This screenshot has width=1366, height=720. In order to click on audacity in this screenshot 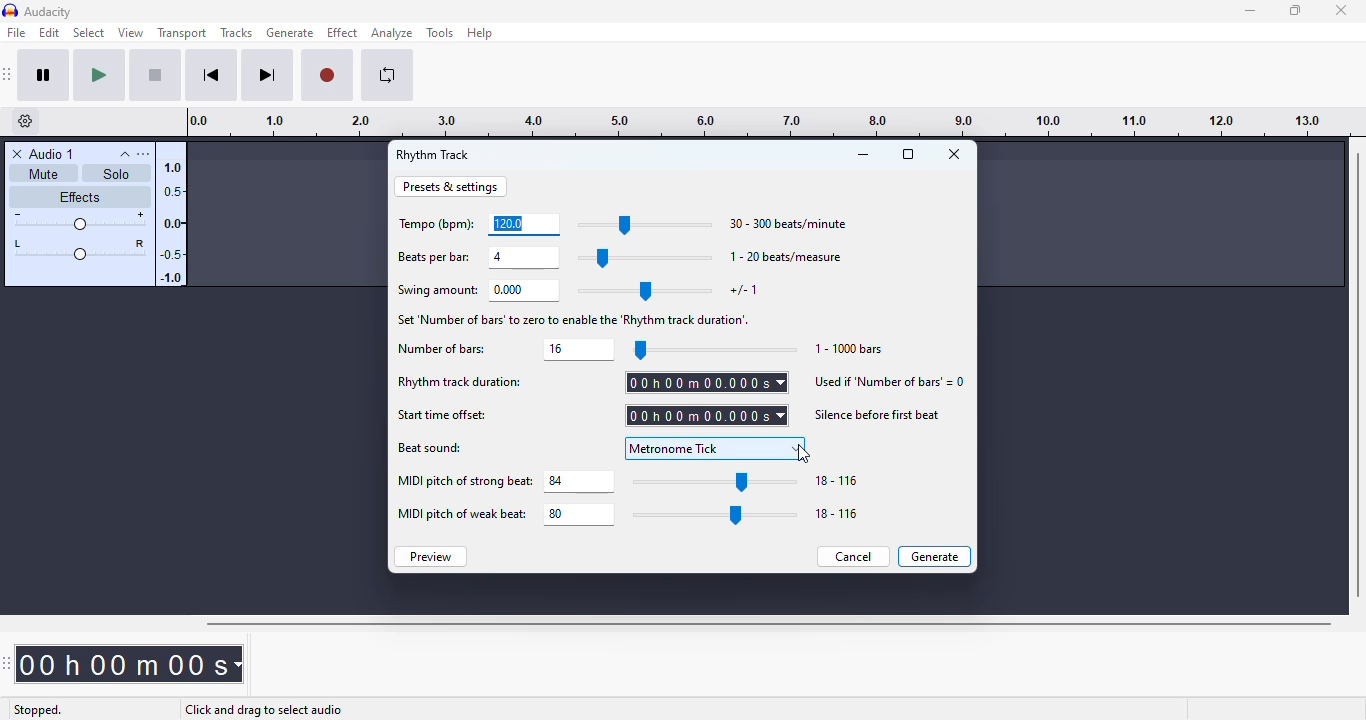, I will do `click(49, 11)`.